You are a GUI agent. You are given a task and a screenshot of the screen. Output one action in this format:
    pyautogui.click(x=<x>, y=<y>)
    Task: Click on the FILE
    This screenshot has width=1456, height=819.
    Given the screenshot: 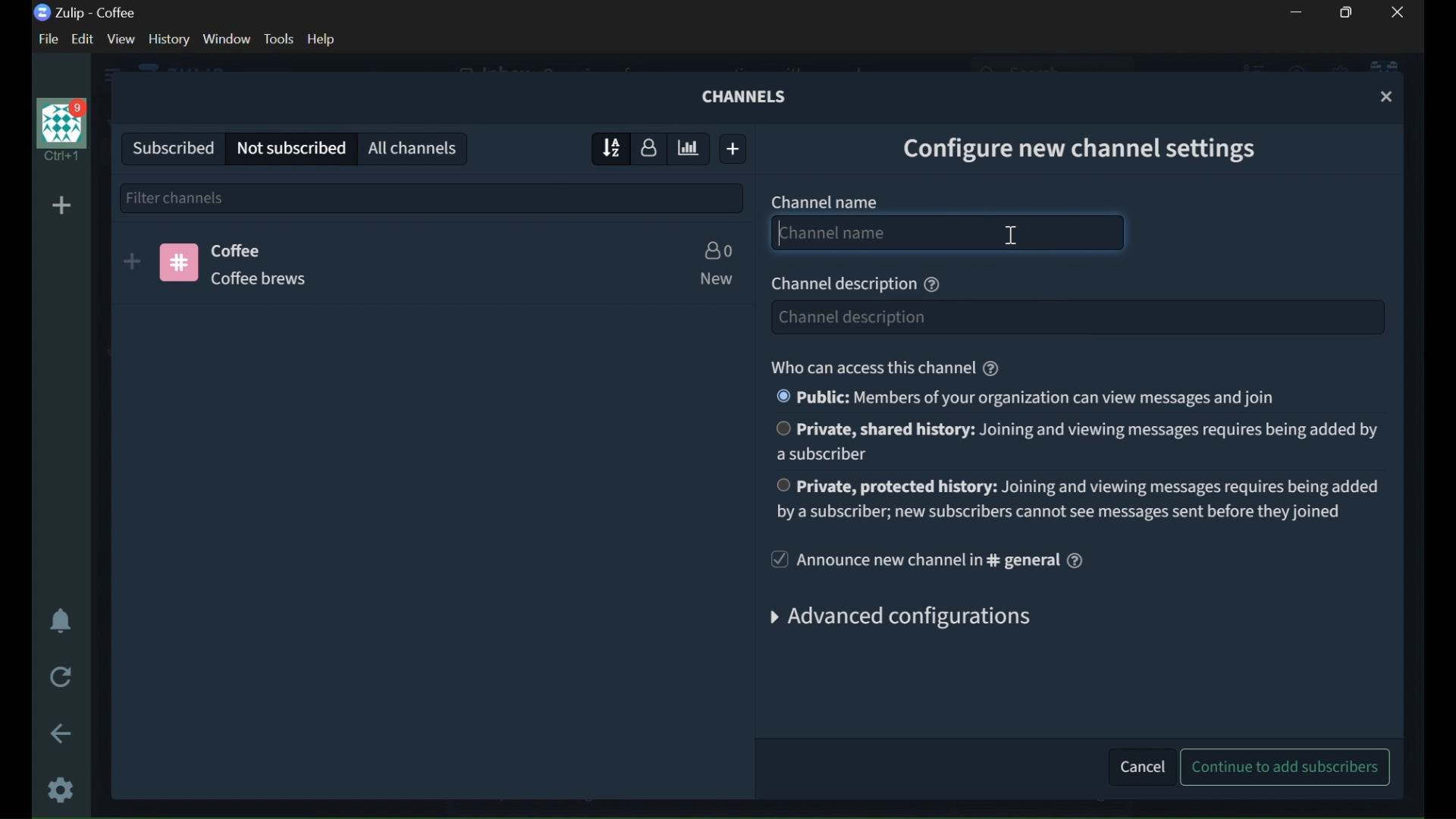 What is the action you would take?
    pyautogui.click(x=45, y=39)
    